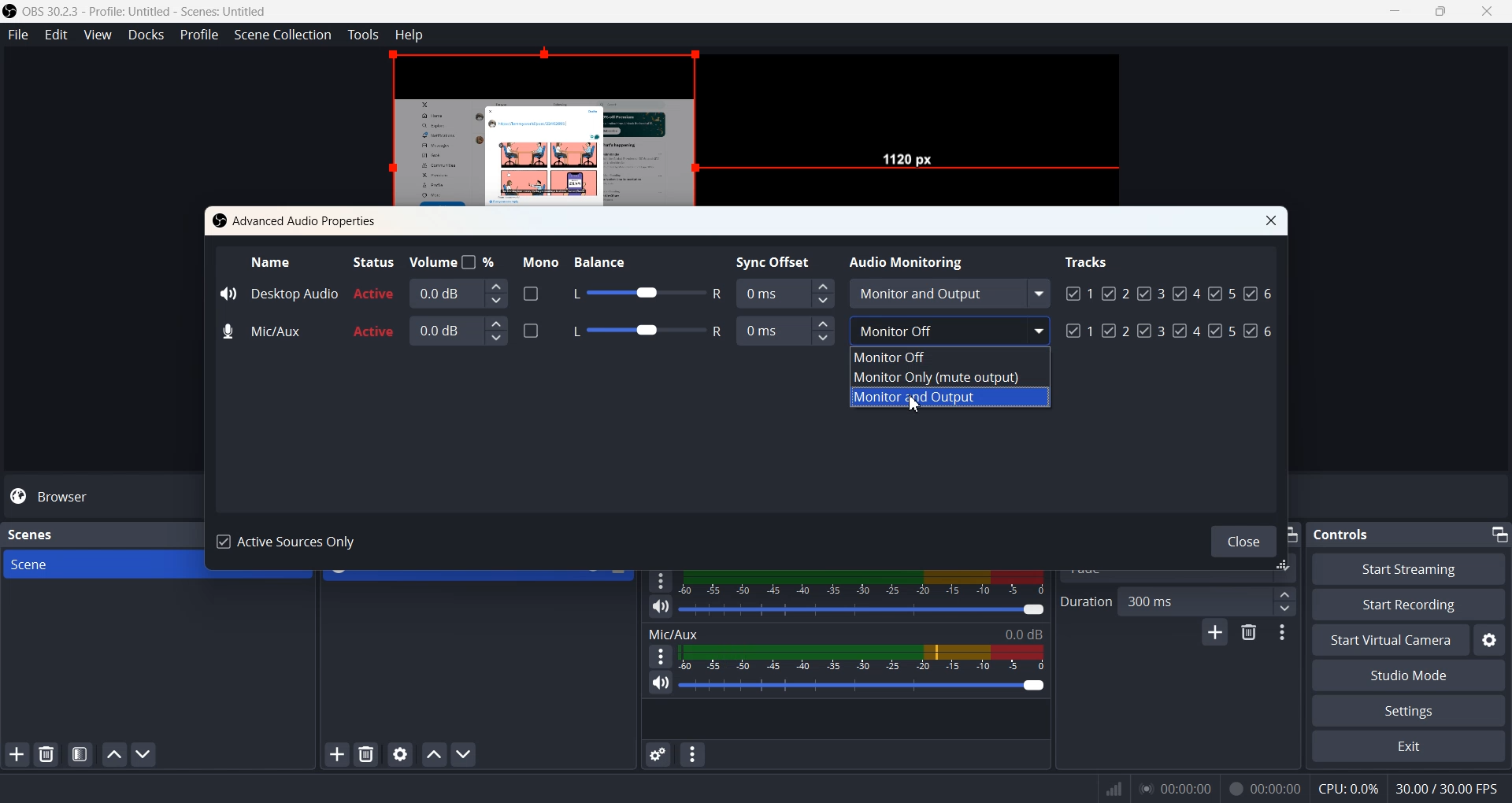 The image size is (1512, 803). What do you see at coordinates (644, 294) in the screenshot?
I see `Balance adjuster` at bounding box center [644, 294].